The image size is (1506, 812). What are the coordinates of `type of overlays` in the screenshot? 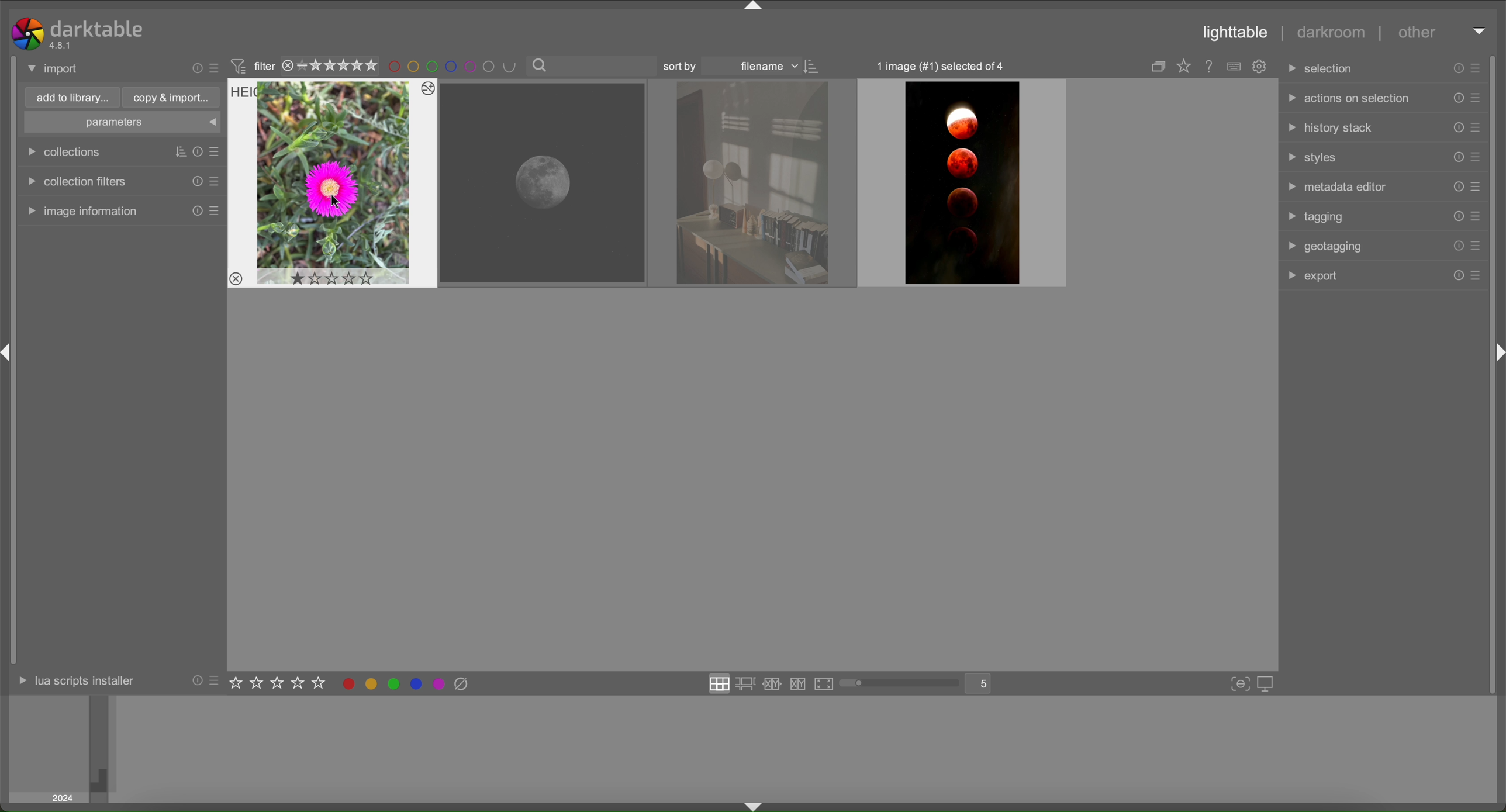 It's located at (1187, 67).